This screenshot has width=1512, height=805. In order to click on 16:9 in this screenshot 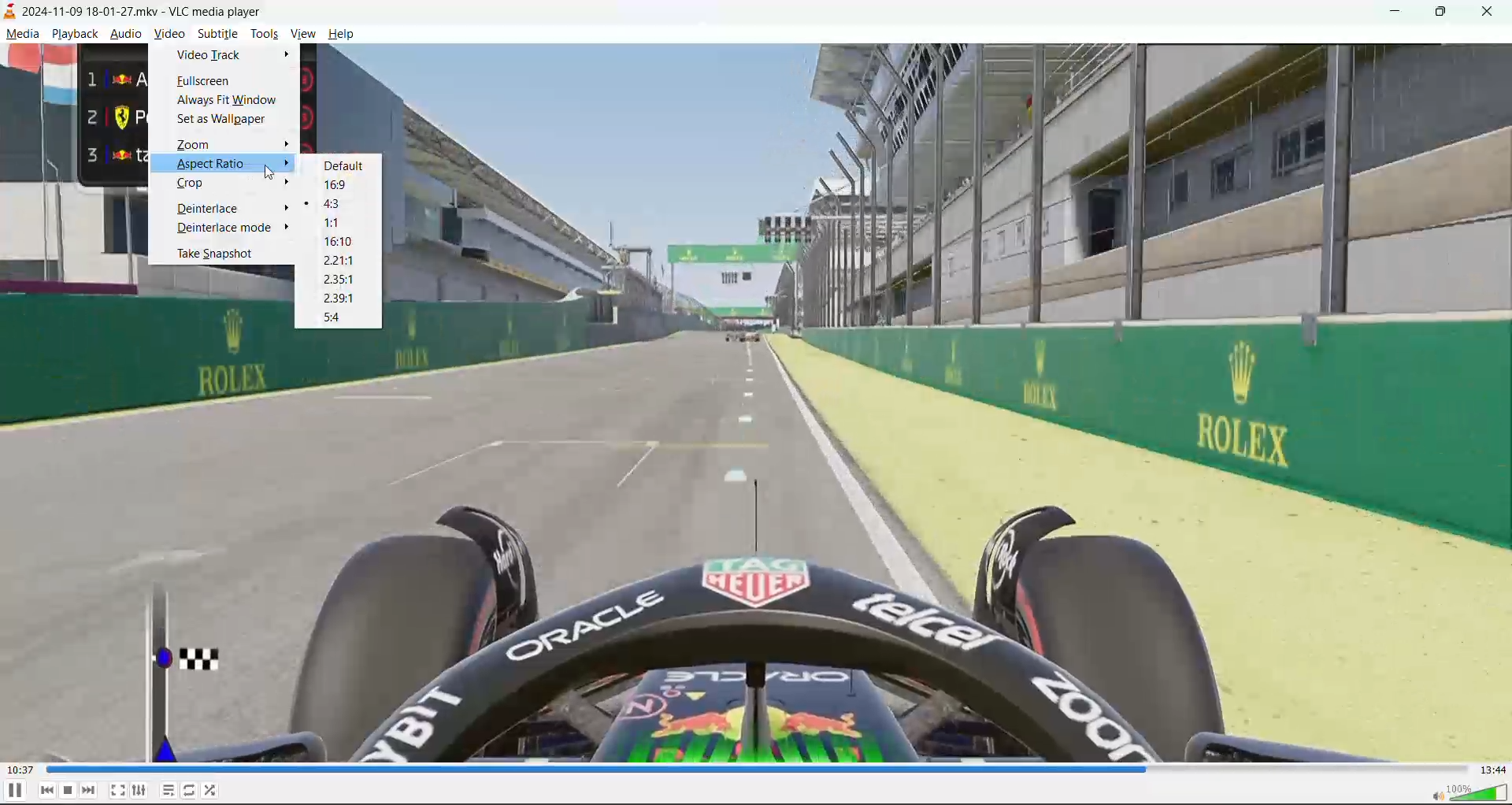, I will do `click(348, 184)`.